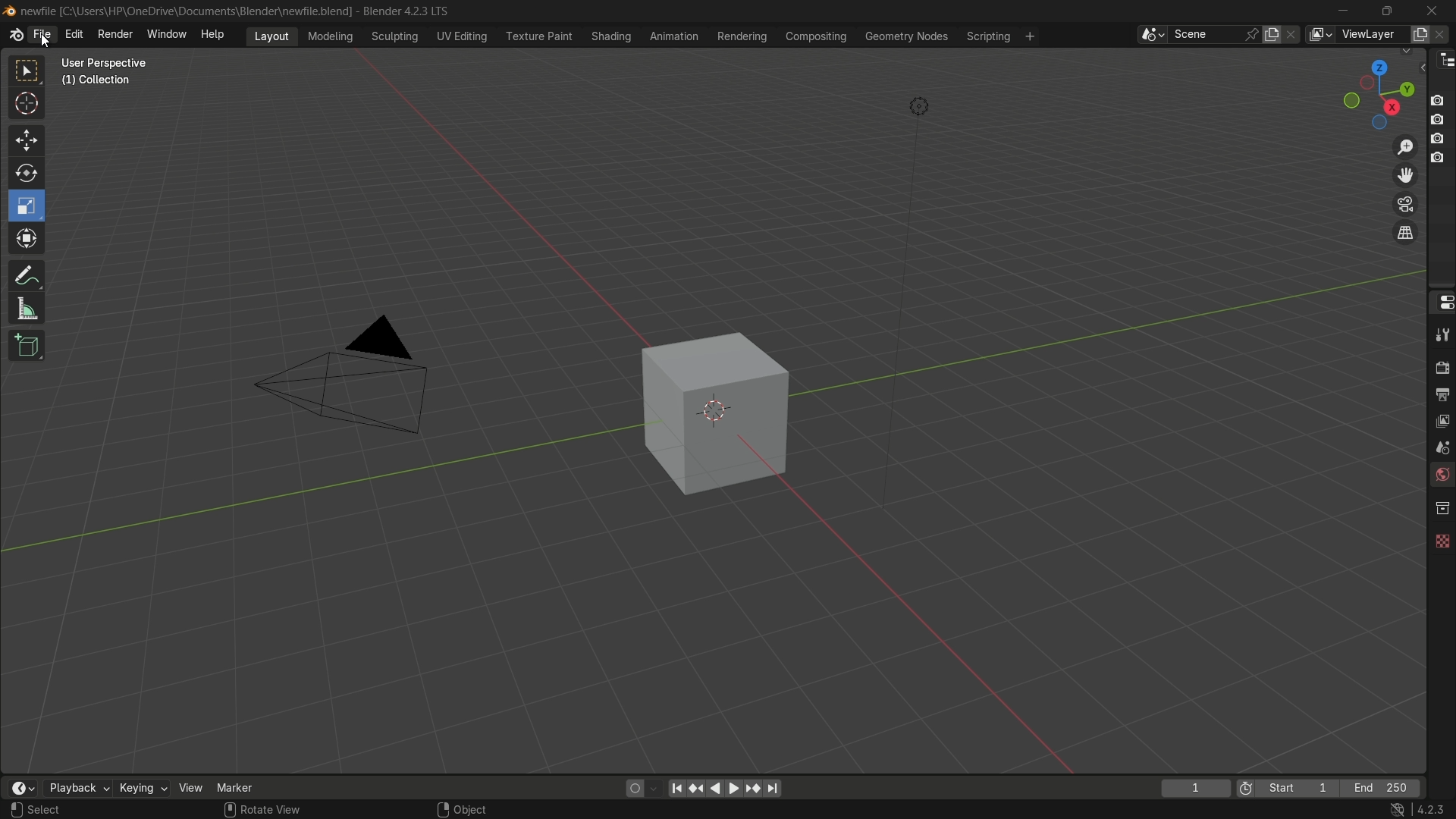 Image resolution: width=1456 pixels, height=819 pixels. What do you see at coordinates (480, 805) in the screenshot?
I see `Object` at bounding box center [480, 805].